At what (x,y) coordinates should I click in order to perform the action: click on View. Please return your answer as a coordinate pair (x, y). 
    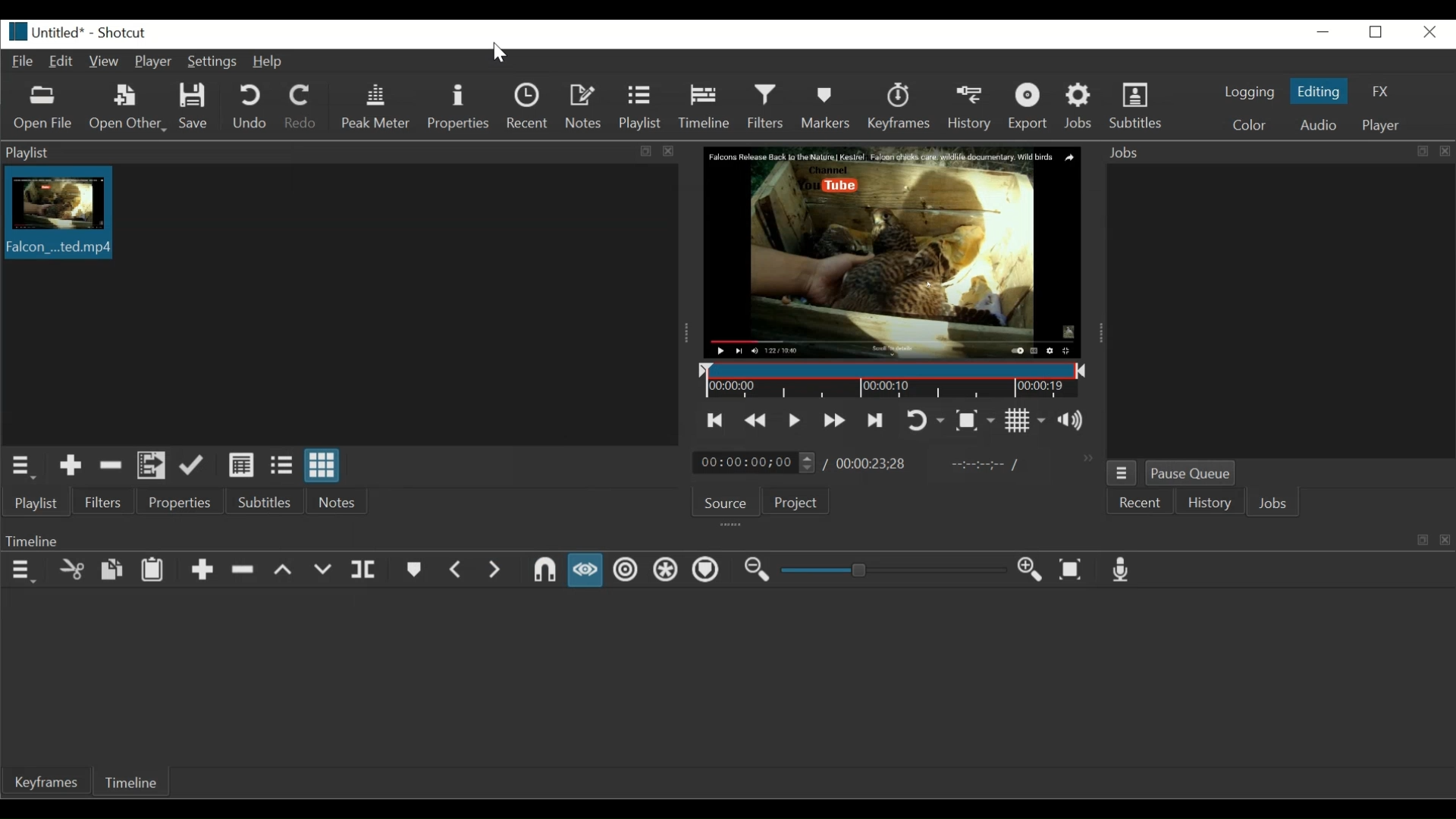
    Looking at the image, I should click on (108, 62).